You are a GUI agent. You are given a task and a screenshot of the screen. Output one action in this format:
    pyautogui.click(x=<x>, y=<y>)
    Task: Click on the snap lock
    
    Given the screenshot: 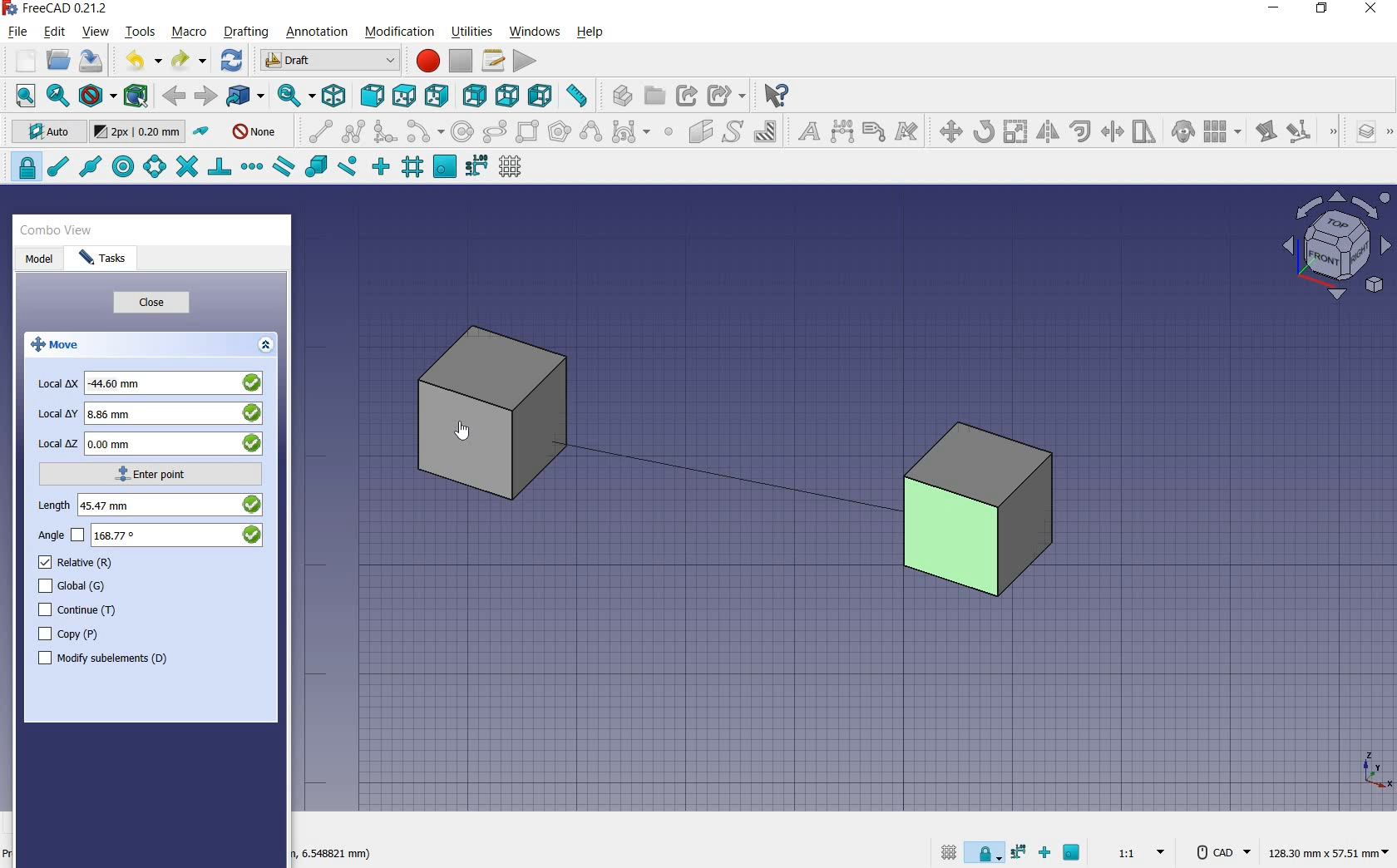 What is the action you would take?
    pyautogui.click(x=983, y=855)
    